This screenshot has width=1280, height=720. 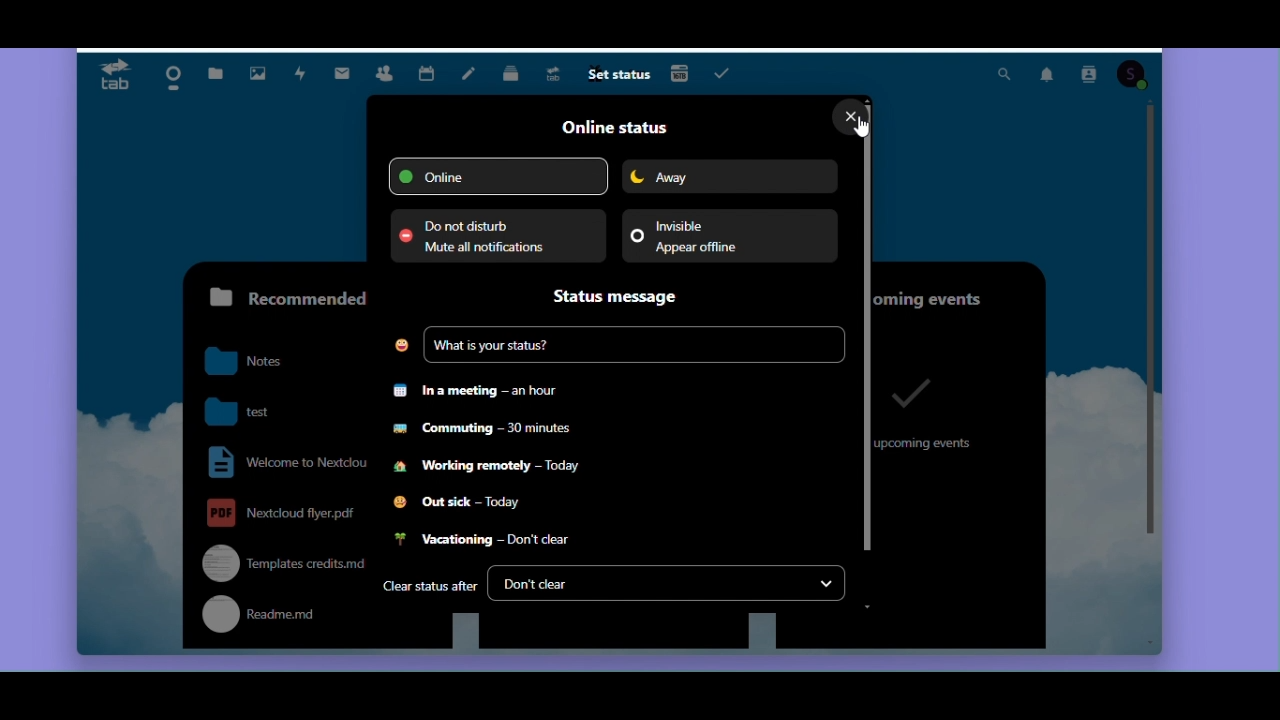 I want to click on templates credits.md, so click(x=278, y=562).